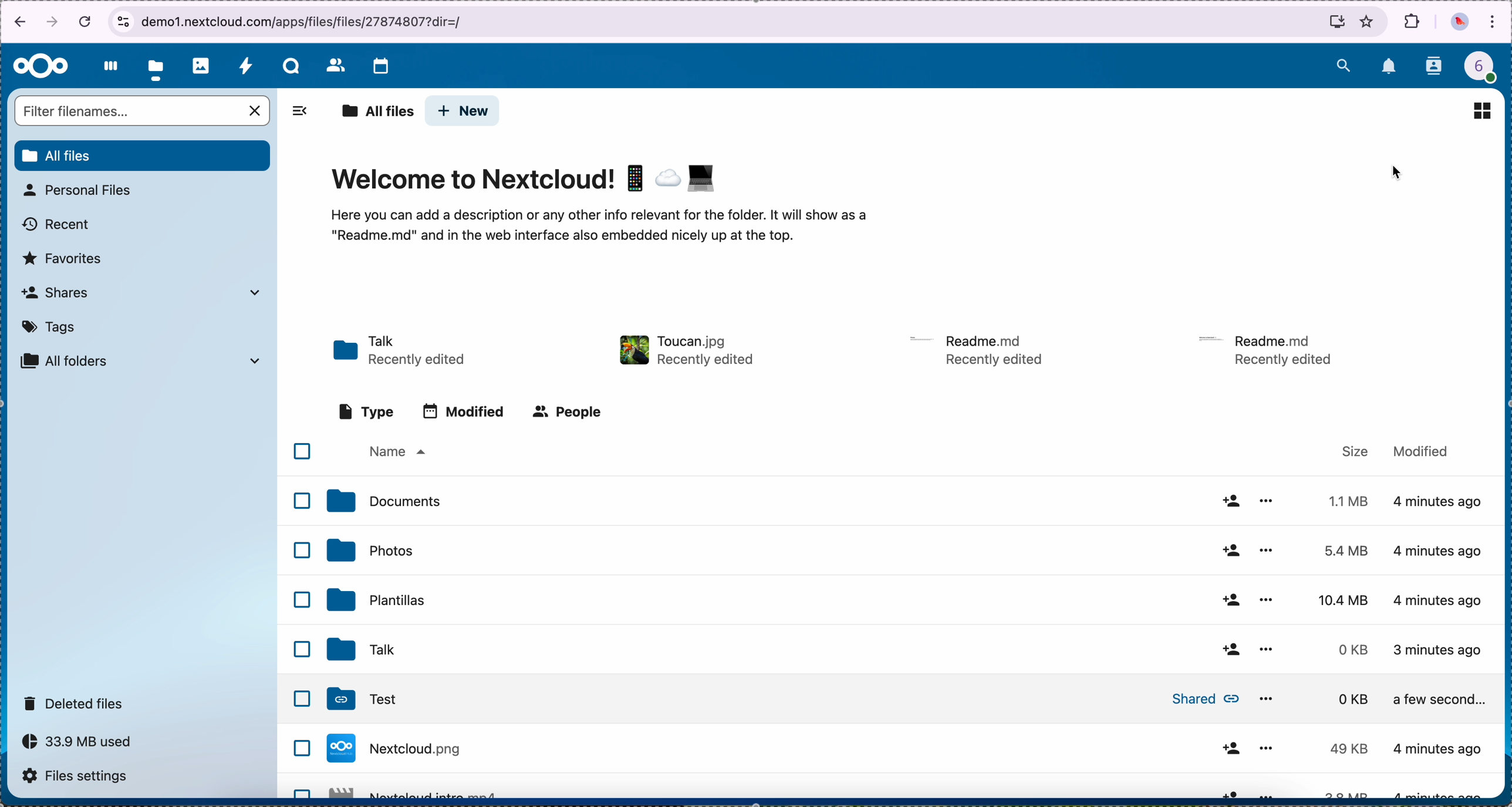 The image size is (1512, 807). I want to click on 4 minutes ago, so click(1440, 507).